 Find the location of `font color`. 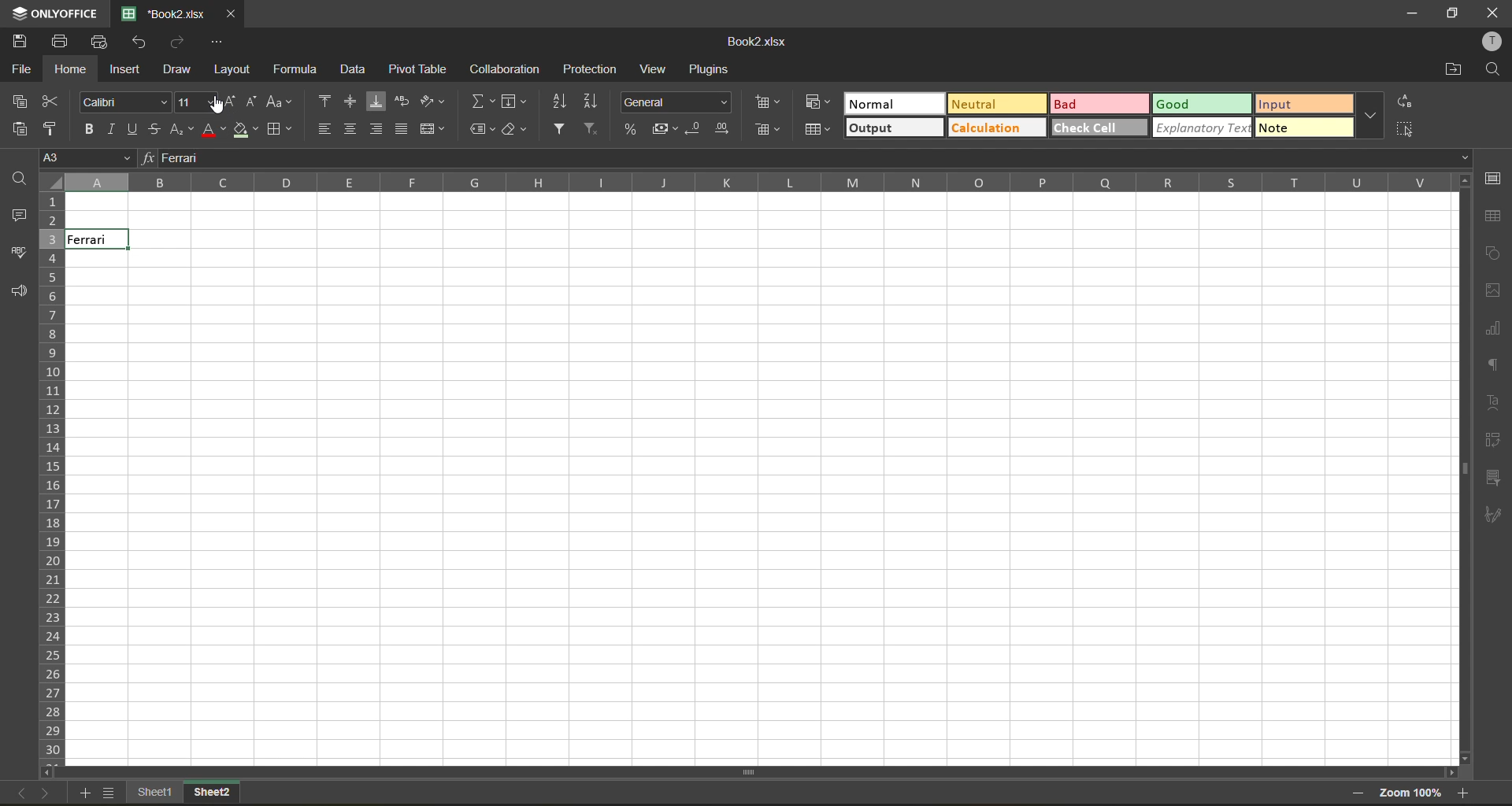

font color is located at coordinates (213, 131).